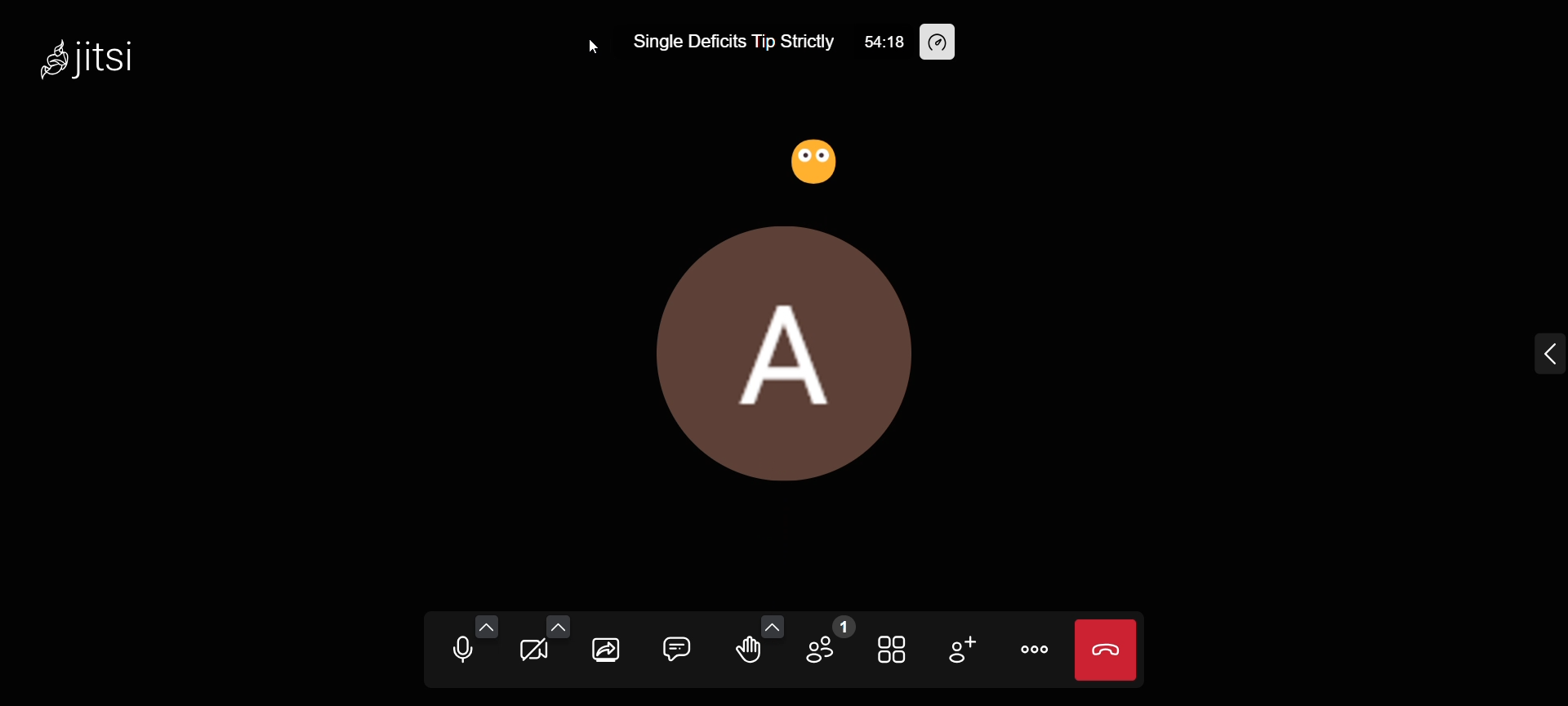  Describe the element at coordinates (961, 648) in the screenshot. I see `invite people` at that location.